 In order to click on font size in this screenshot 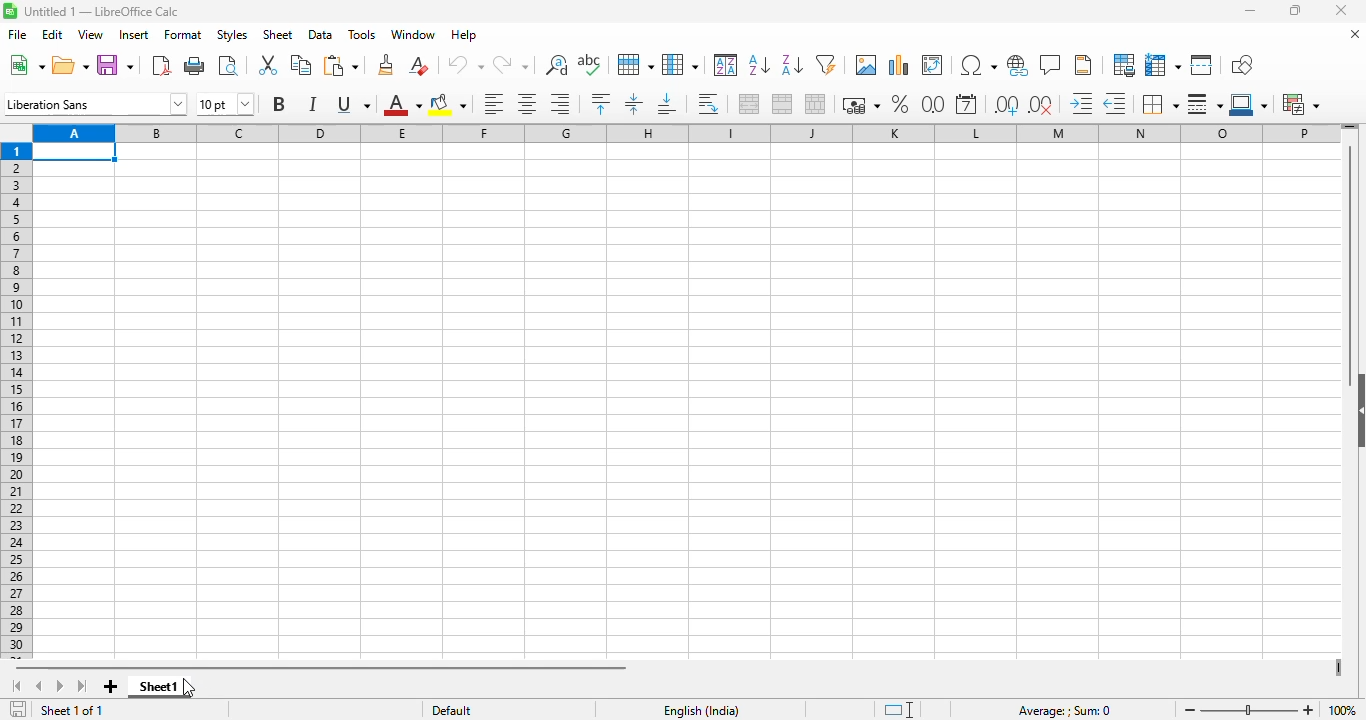, I will do `click(224, 103)`.